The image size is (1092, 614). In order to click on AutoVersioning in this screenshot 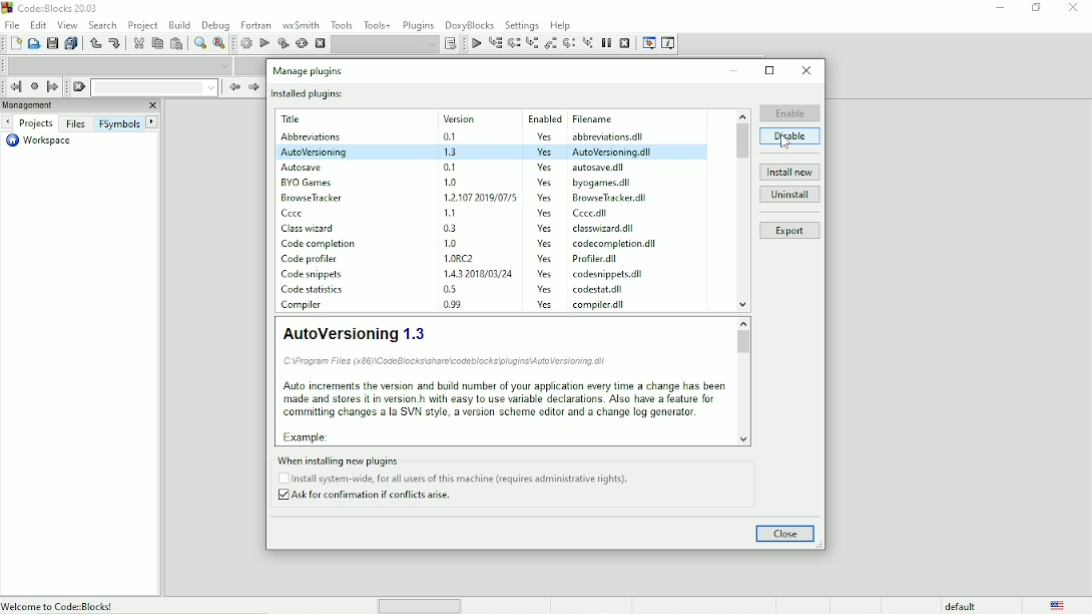, I will do `click(313, 152)`.